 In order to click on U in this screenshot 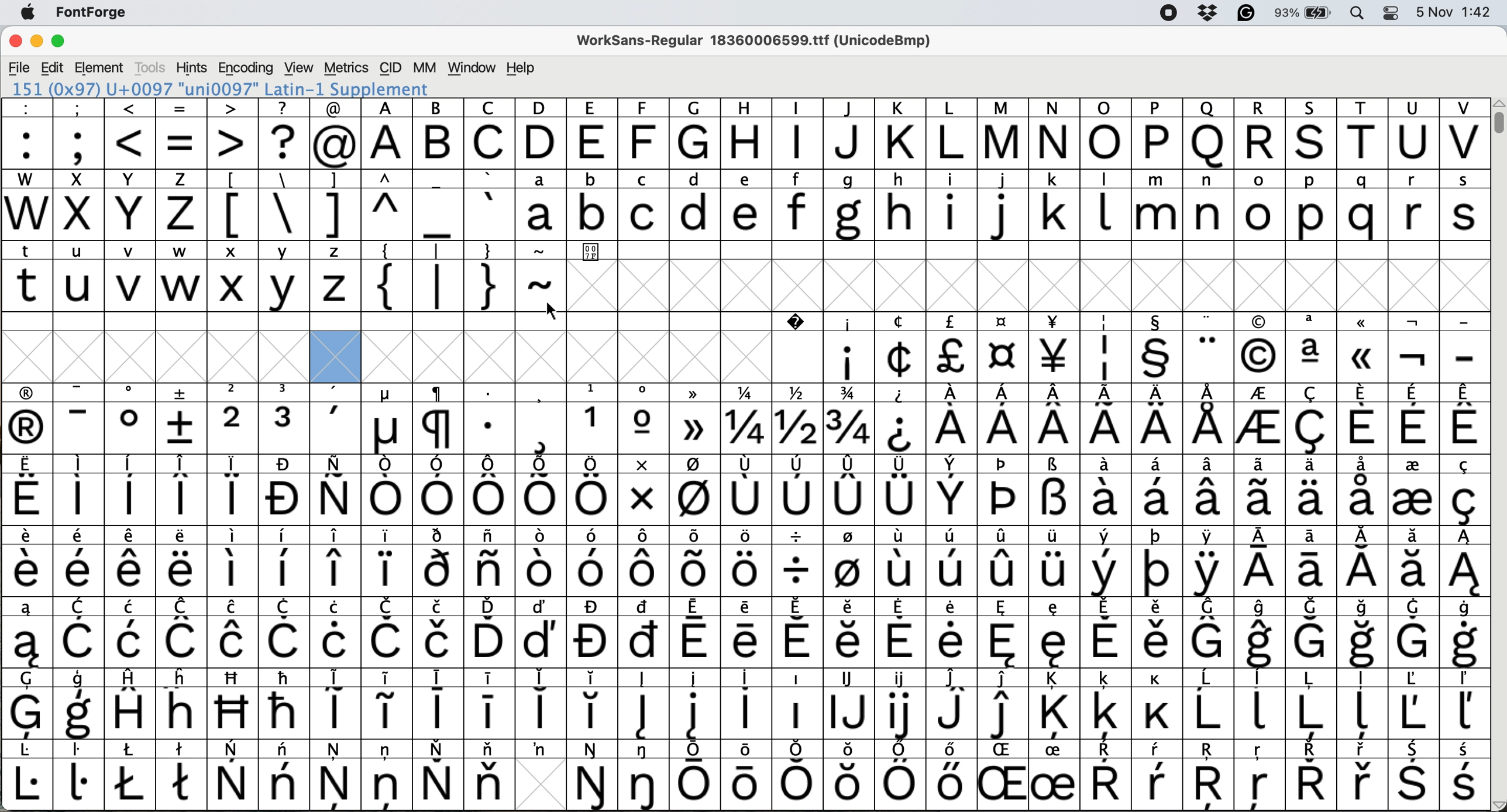, I will do `click(1413, 134)`.